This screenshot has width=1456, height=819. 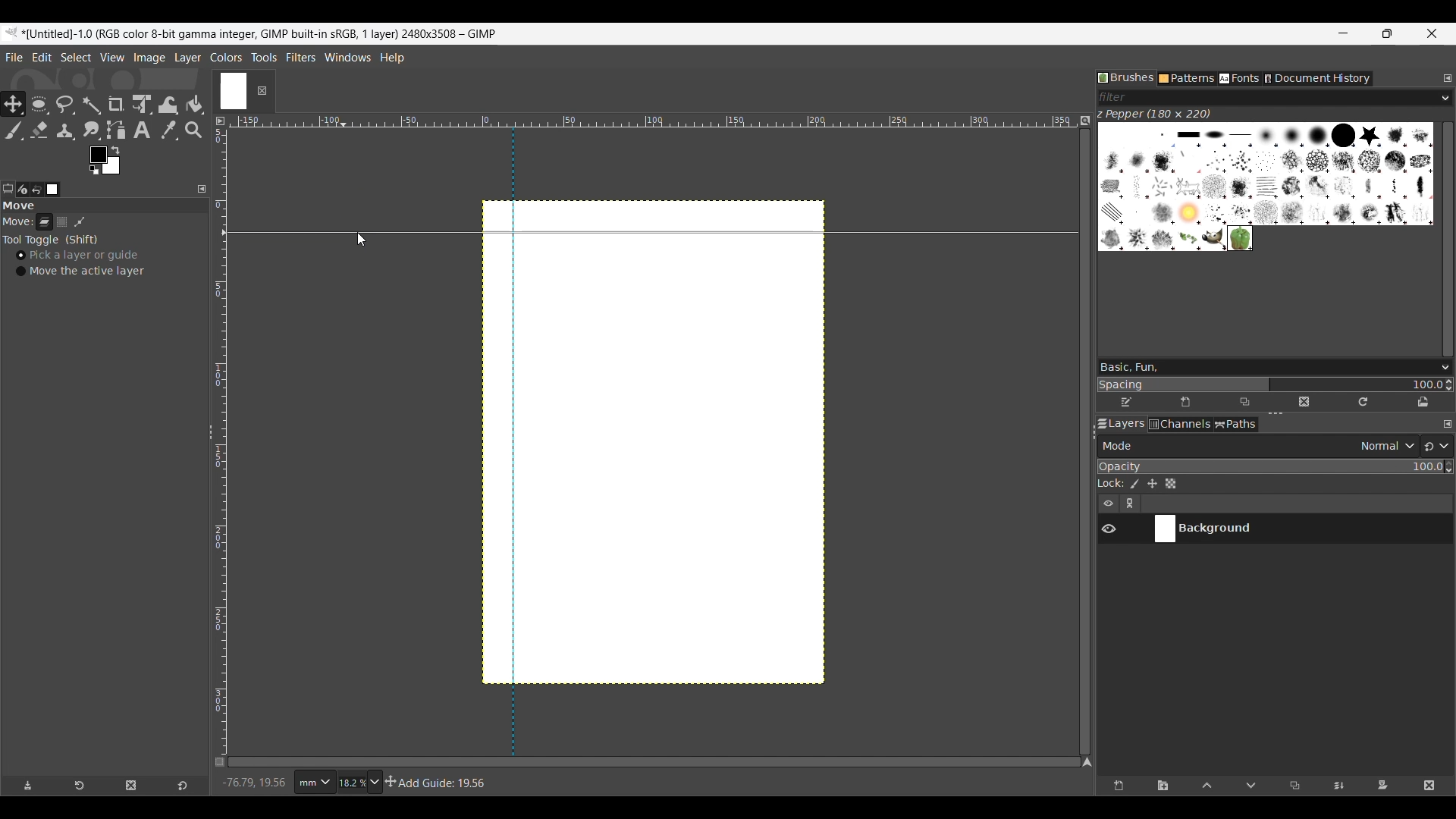 What do you see at coordinates (351, 783) in the screenshot?
I see `Current zoom factor` at bounding box center [351, 783].